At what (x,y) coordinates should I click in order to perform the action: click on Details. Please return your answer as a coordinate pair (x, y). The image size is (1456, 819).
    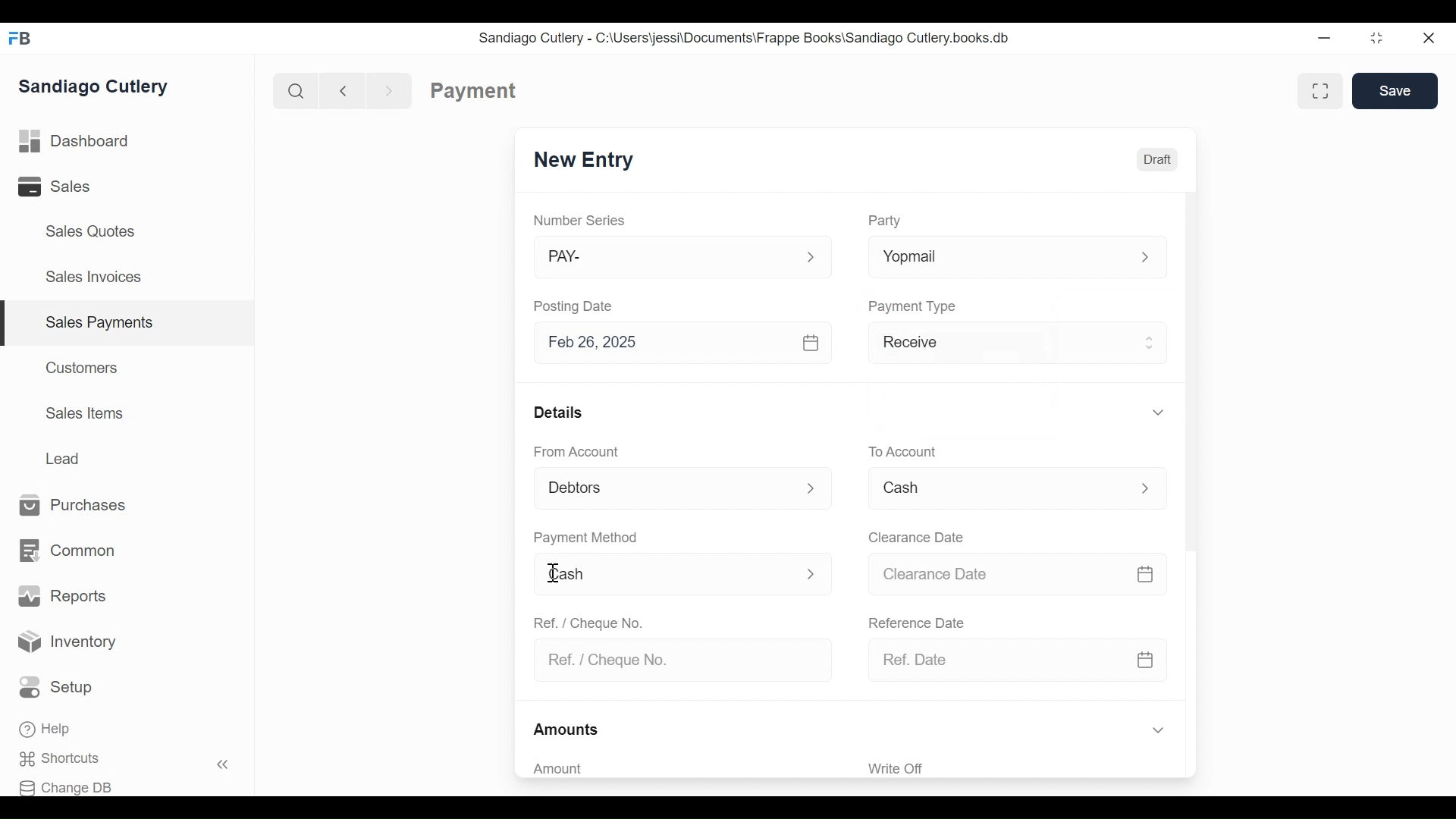
    Looking at the image, I should click on (558, 411).